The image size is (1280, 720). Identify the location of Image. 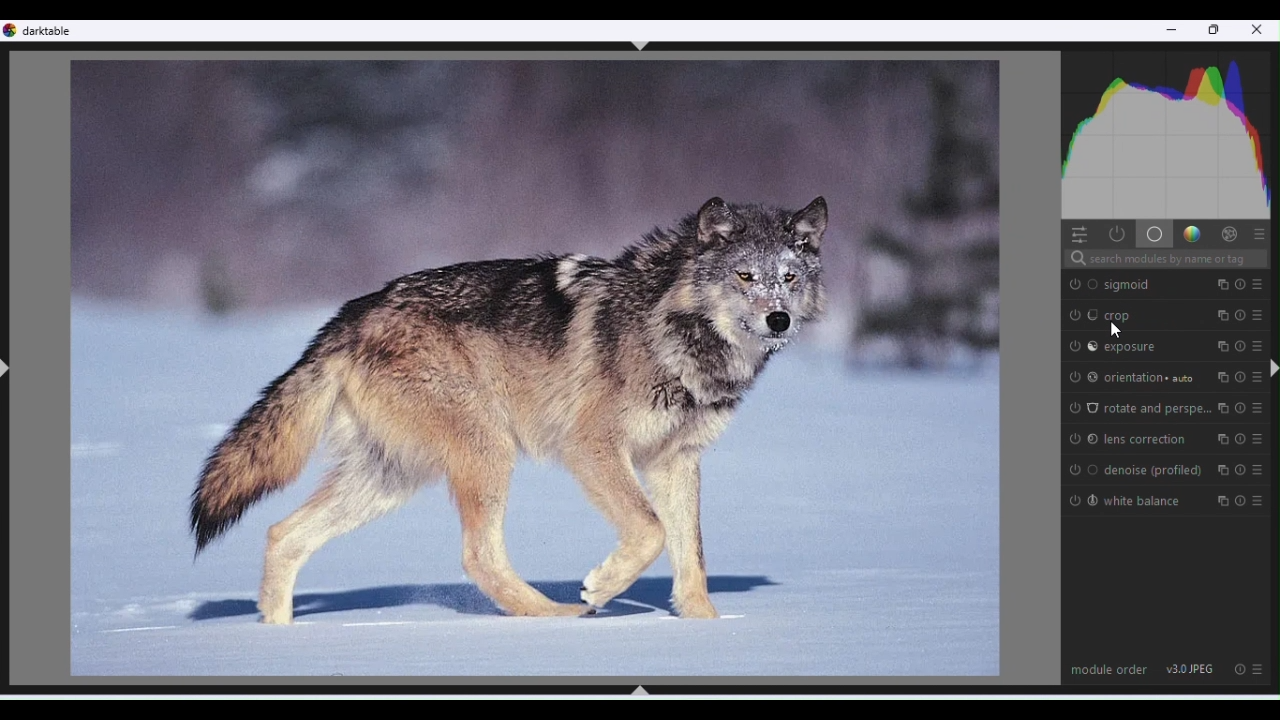
(531, 368).